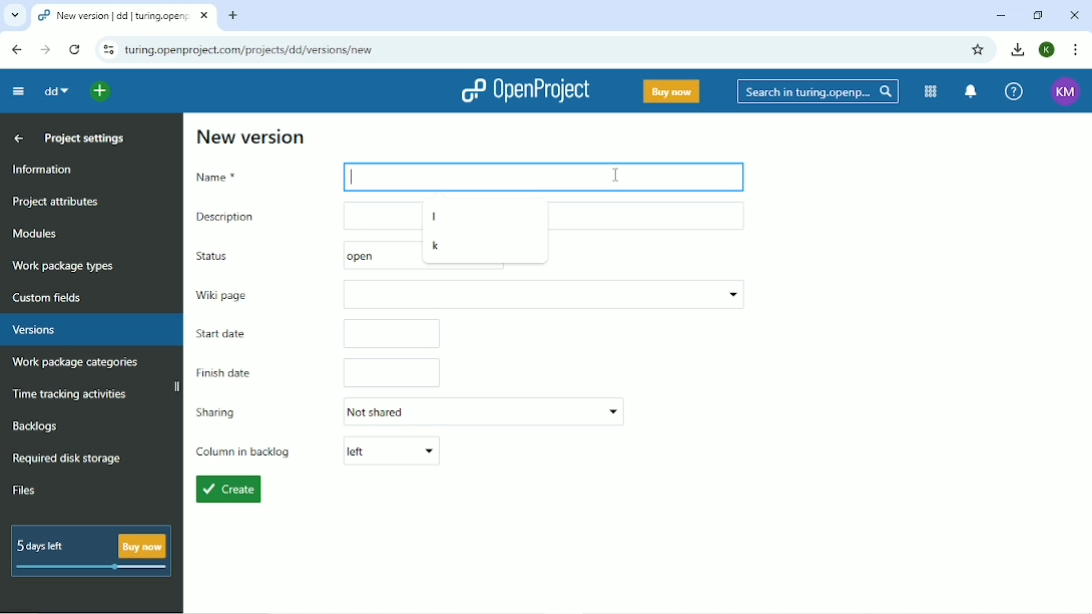 The height and width of the screenshot is (614, 1092). What do you see at coordinates (315, 335) in the screenshot?
I see `Start date` at bounding box center [315, 335].